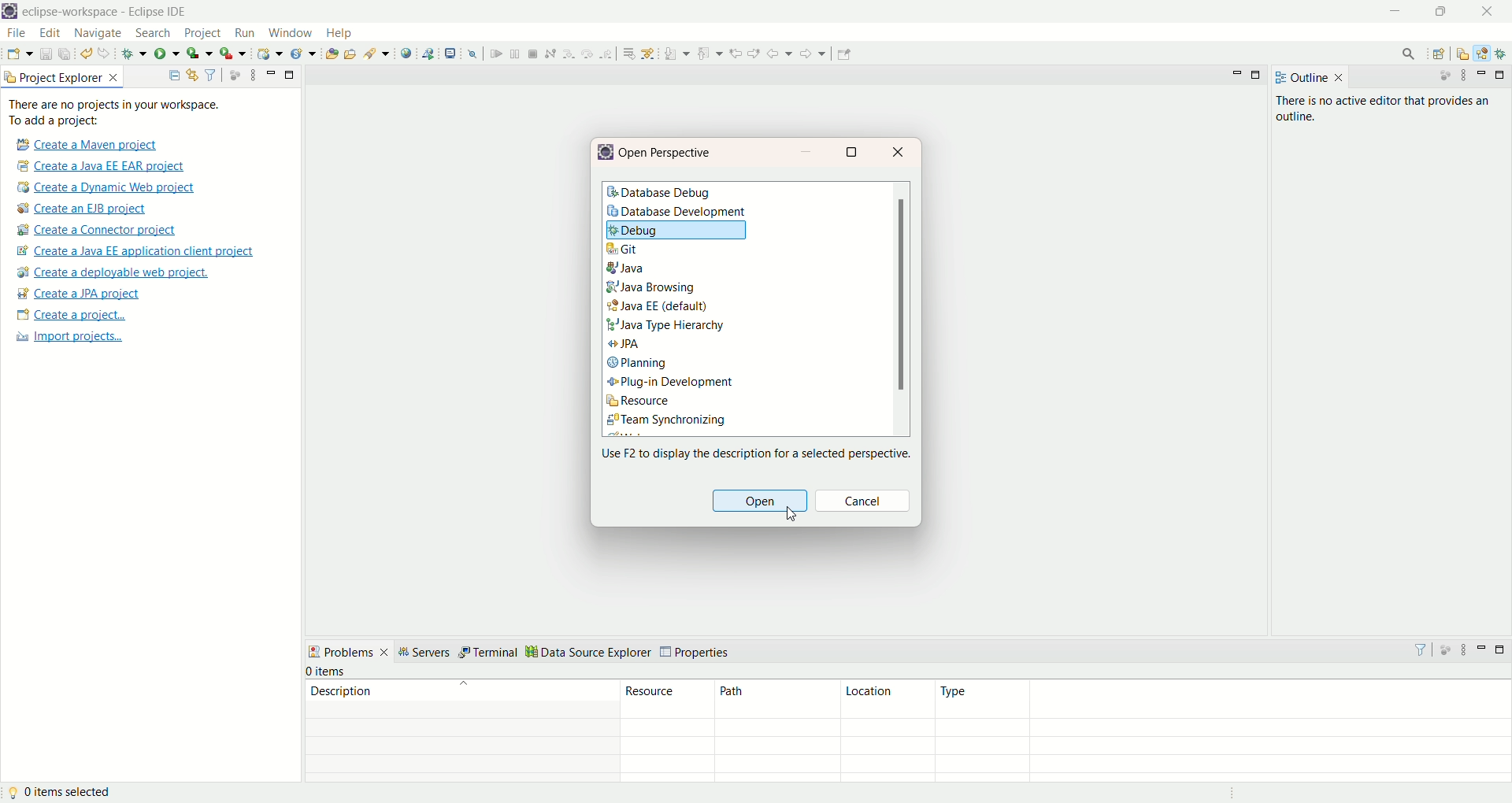 The width and height of the screenshot is (1512, 803). Describe the element at coordinates (243, 35) in the screenshot. I see `run` at that location.